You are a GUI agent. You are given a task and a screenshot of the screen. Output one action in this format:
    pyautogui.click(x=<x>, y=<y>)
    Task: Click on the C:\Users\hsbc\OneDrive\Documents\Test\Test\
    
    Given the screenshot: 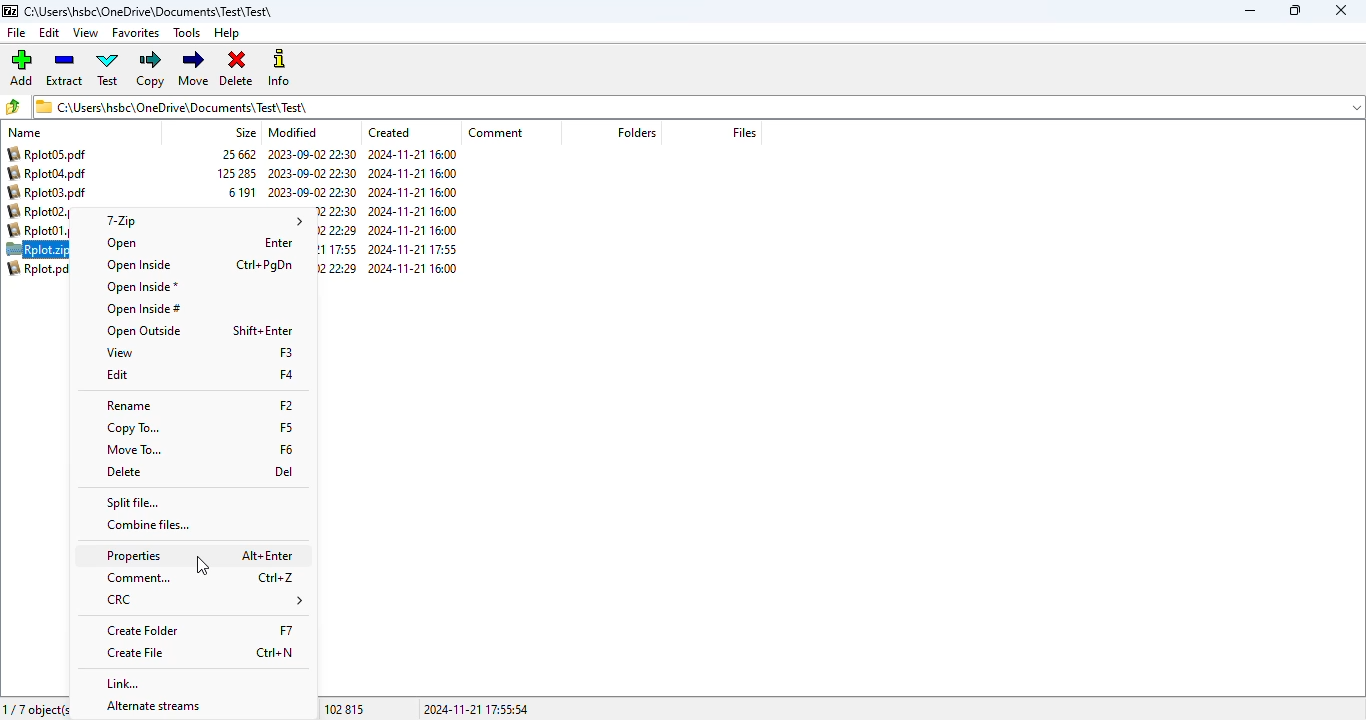 What is the action you would take?
    pyautogui.click(x=151, y=12)
    